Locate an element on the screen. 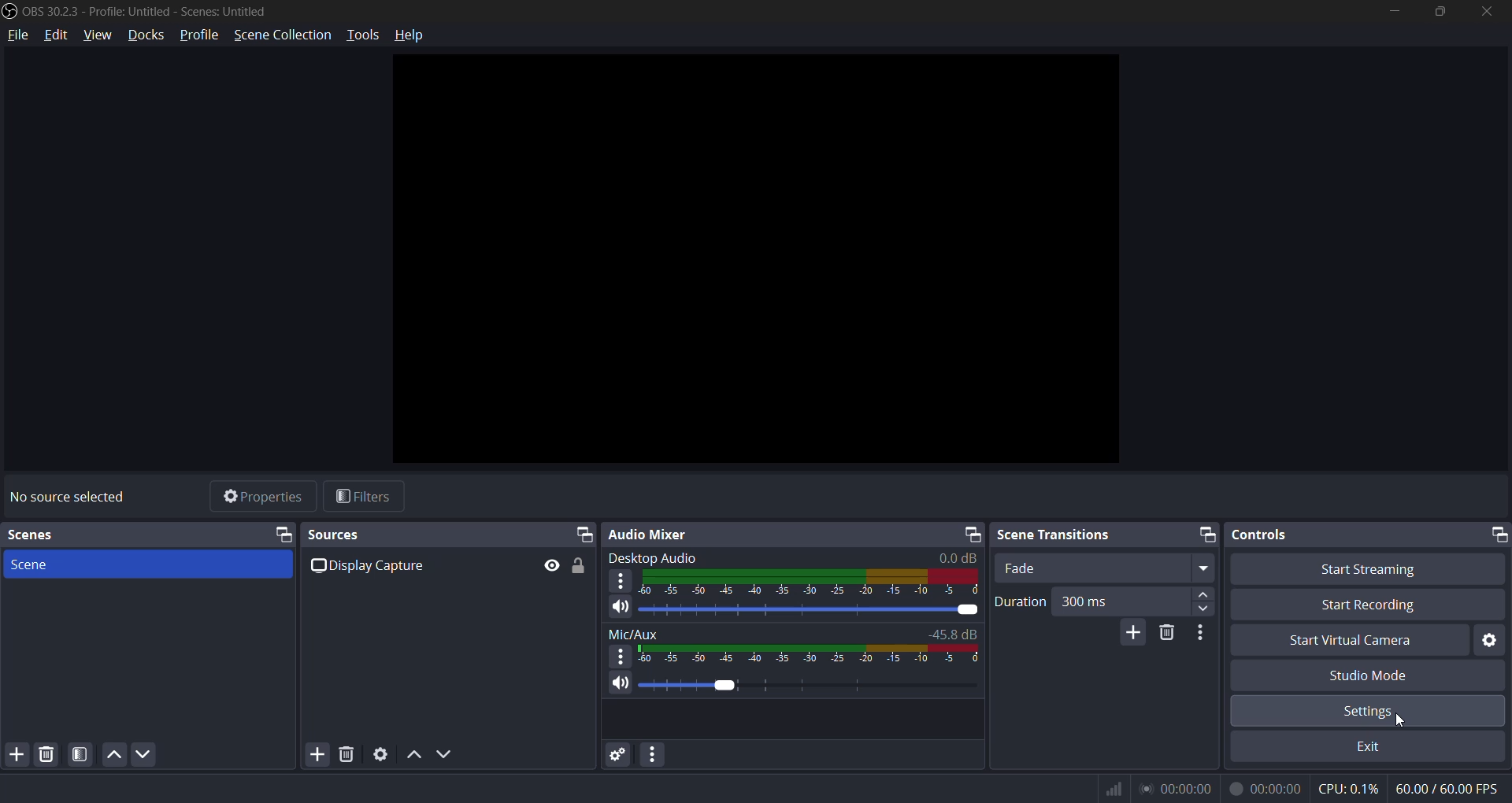 The width and height of the screenshot is (1512, 803). volume is located at coordinates (811, 686).